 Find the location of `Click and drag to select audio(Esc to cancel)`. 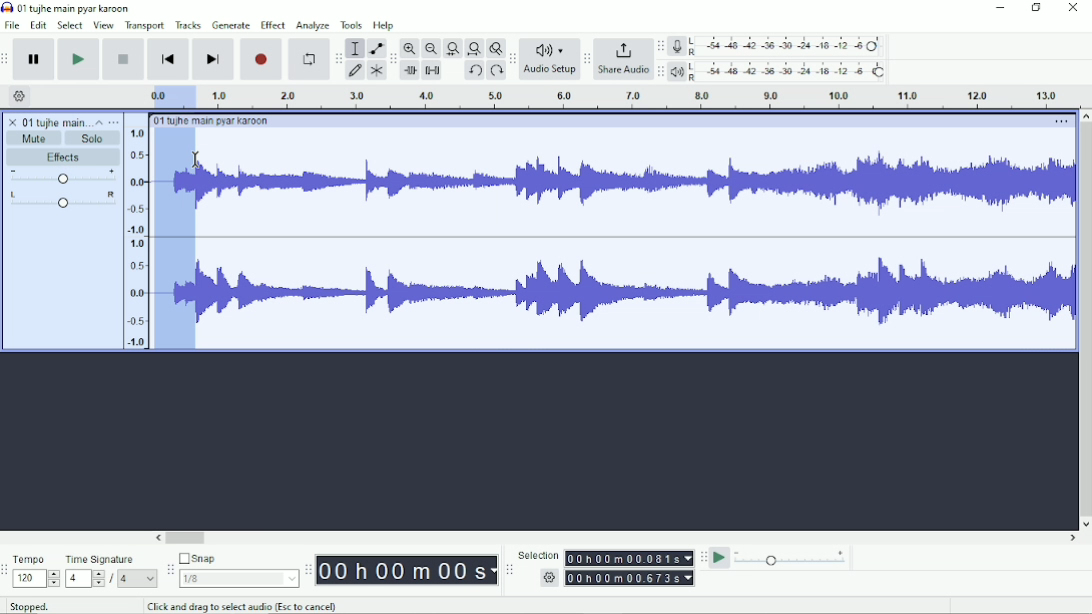

Click and drag to select audio(Esc to cancel) is located at coordinates (245, 606).